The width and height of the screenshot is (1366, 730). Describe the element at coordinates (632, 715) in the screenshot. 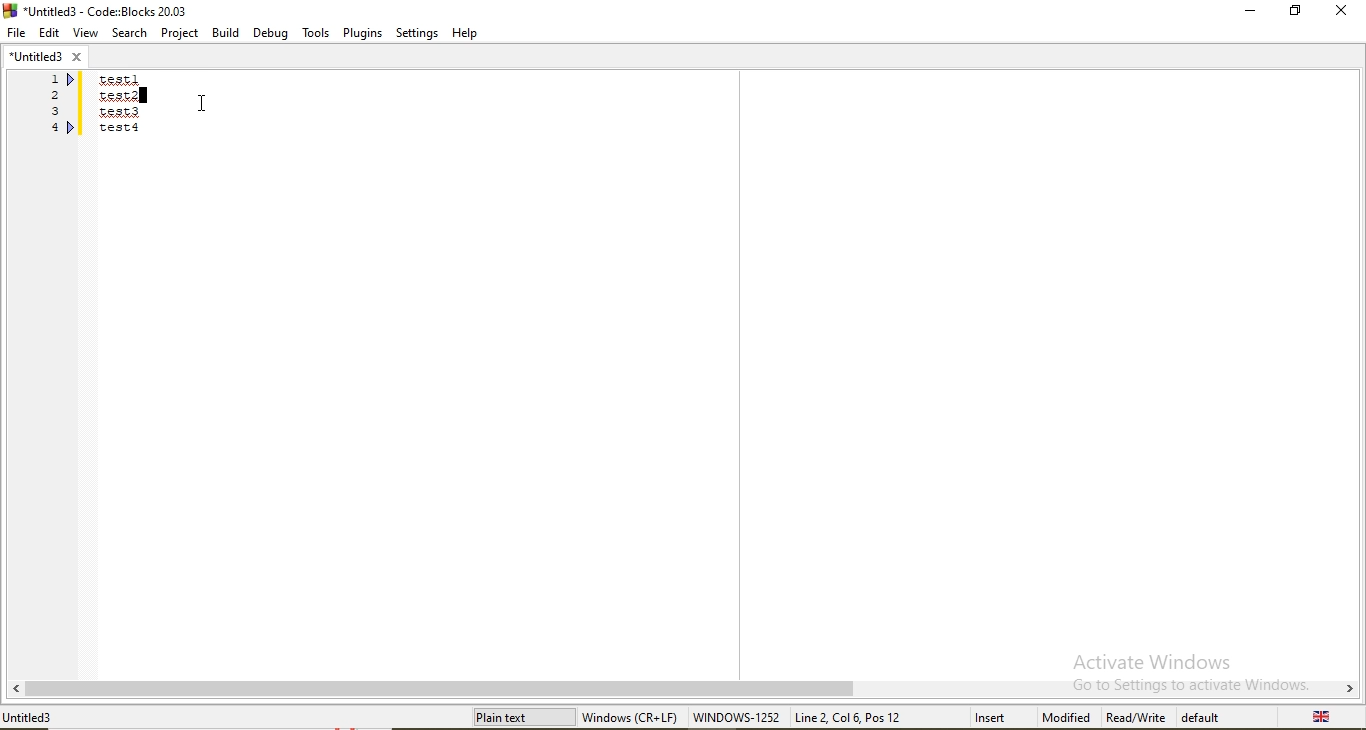

I see `Windows(CR+LF)` at that location.